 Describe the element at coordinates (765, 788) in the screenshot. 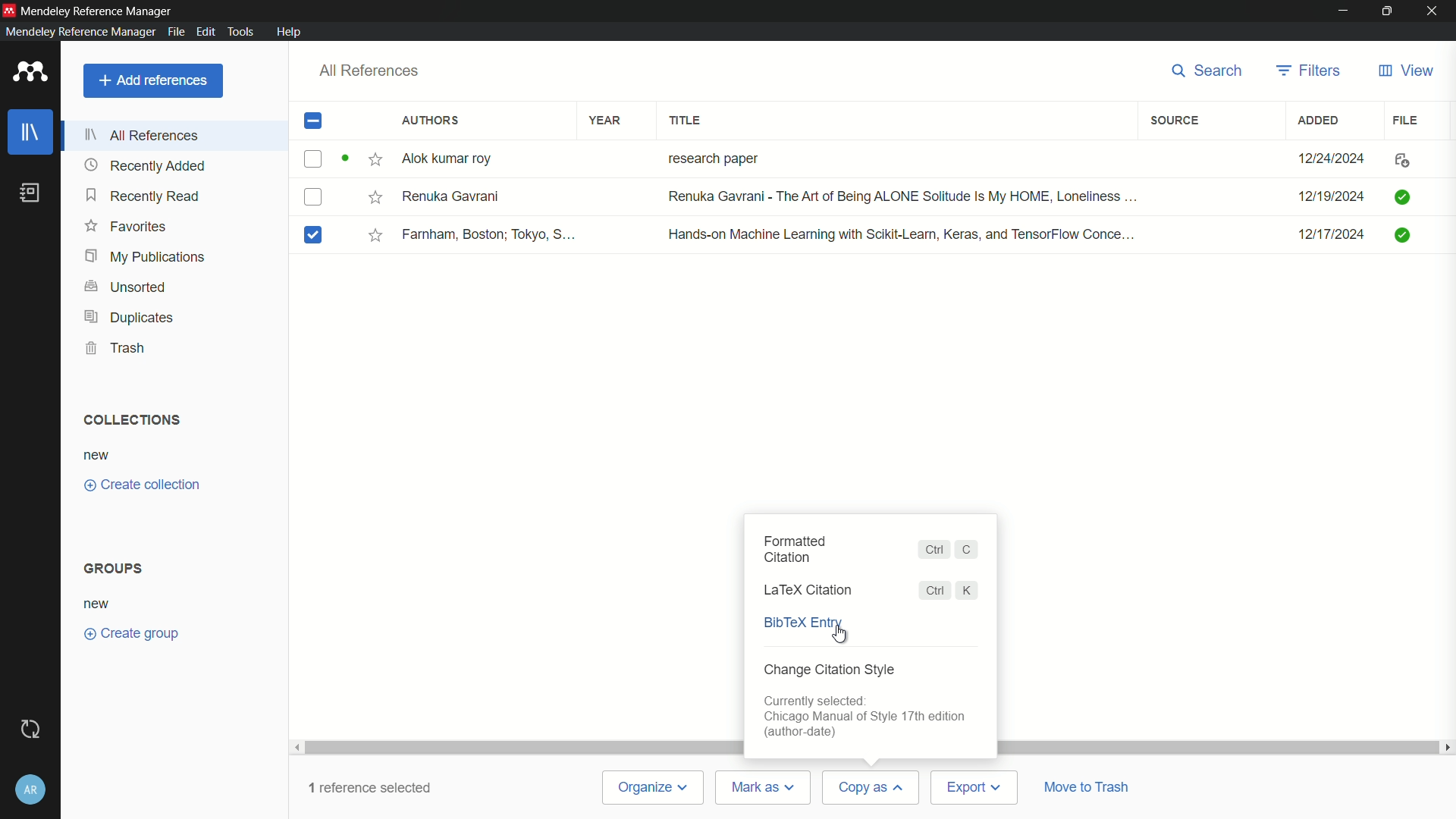

I see `mark as` at that location.